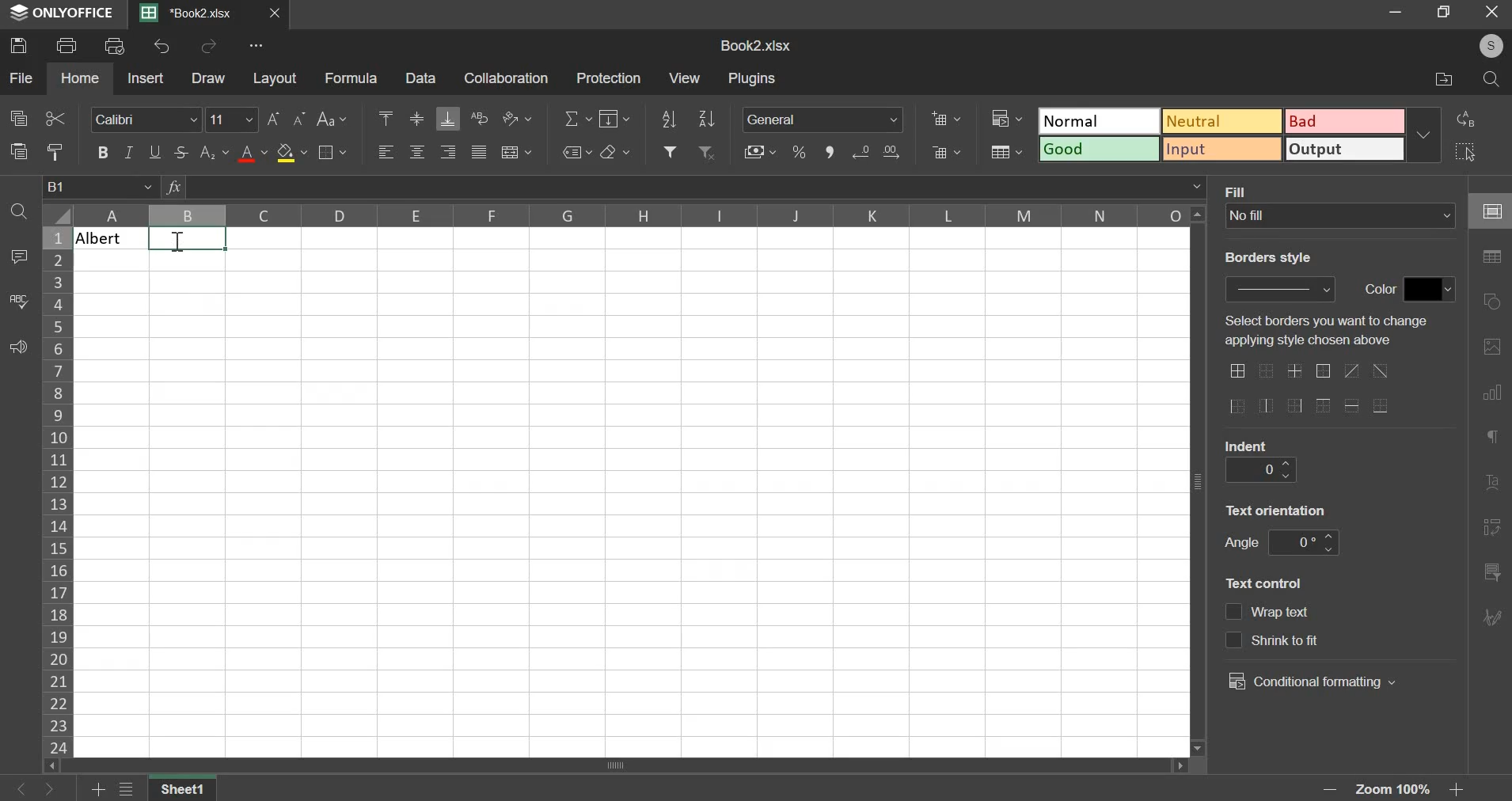 The width and height of the screenshot is (1512, 801). I want to click on font size decrease, so click(299, 120).